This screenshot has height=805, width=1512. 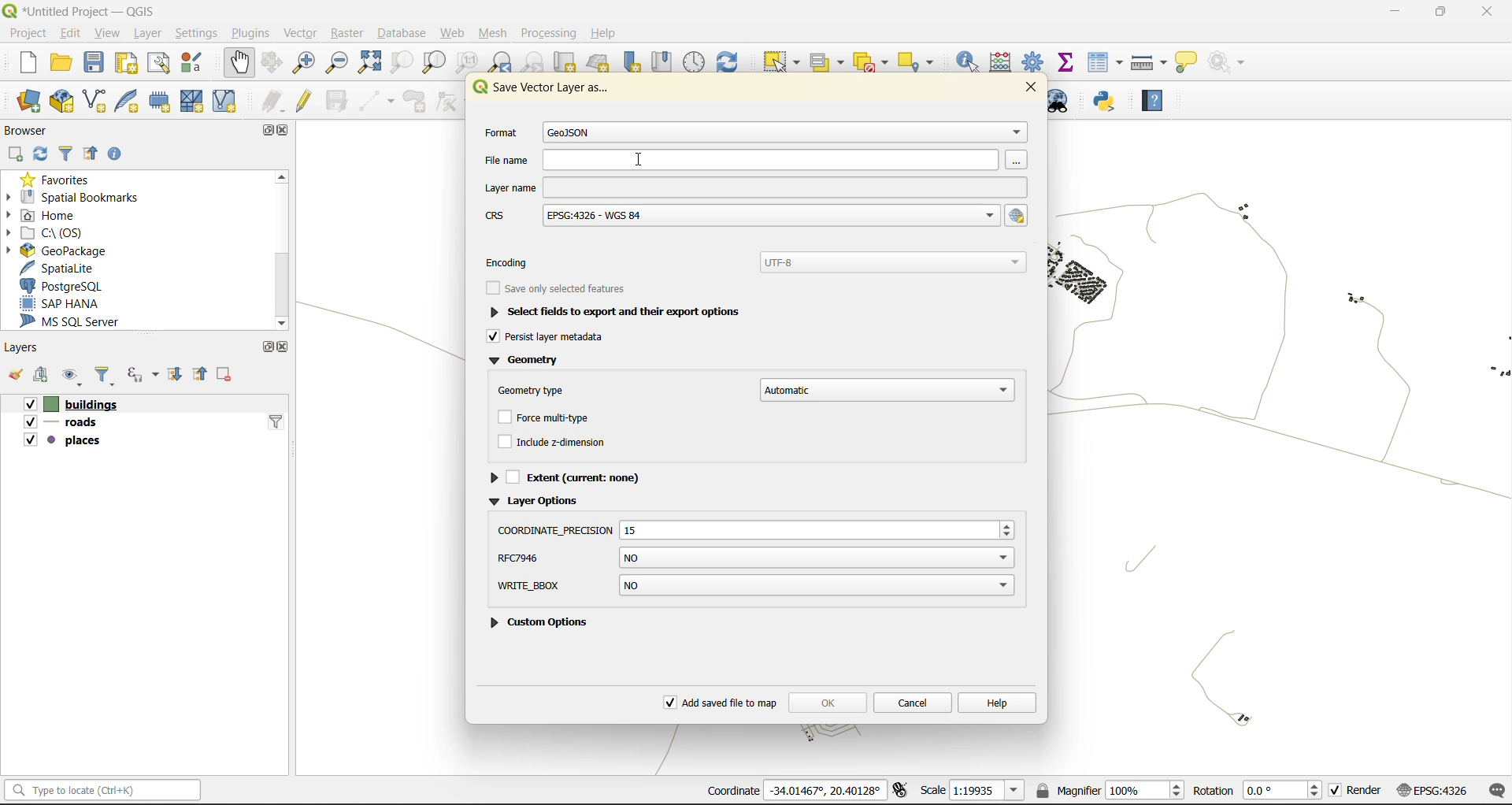 I want to click on resize, so click(x=755, y=526).